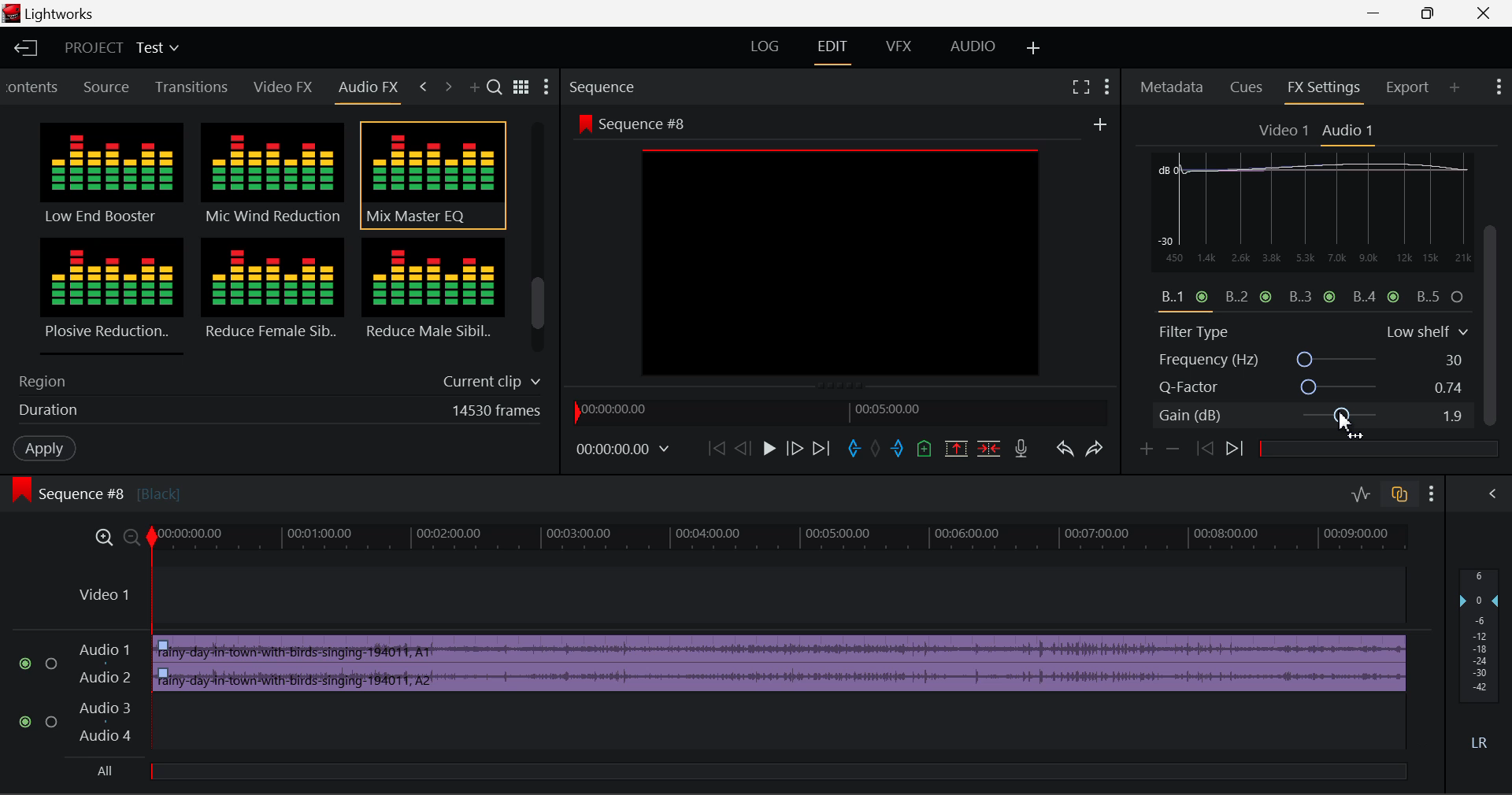  Describe the element at coordinates (1314, 388) in the screenshot. I see `Q-Factor` at that location.